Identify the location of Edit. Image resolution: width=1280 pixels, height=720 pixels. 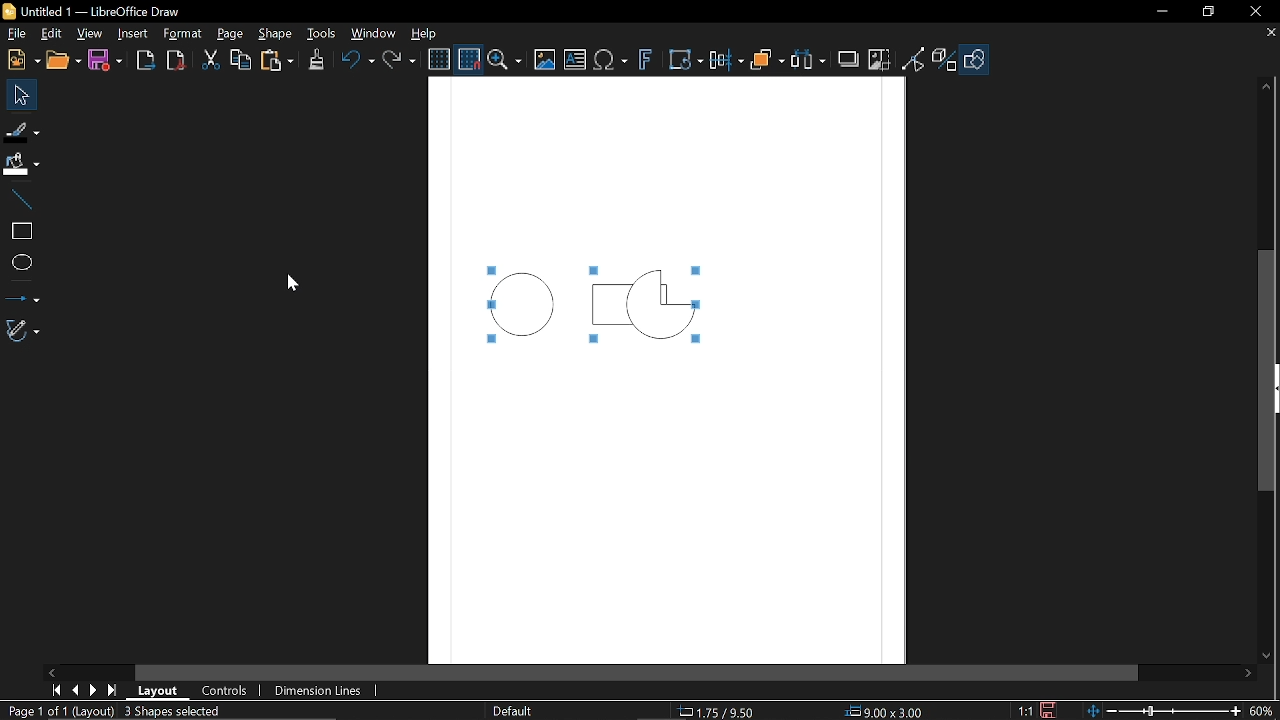
(50, 35).